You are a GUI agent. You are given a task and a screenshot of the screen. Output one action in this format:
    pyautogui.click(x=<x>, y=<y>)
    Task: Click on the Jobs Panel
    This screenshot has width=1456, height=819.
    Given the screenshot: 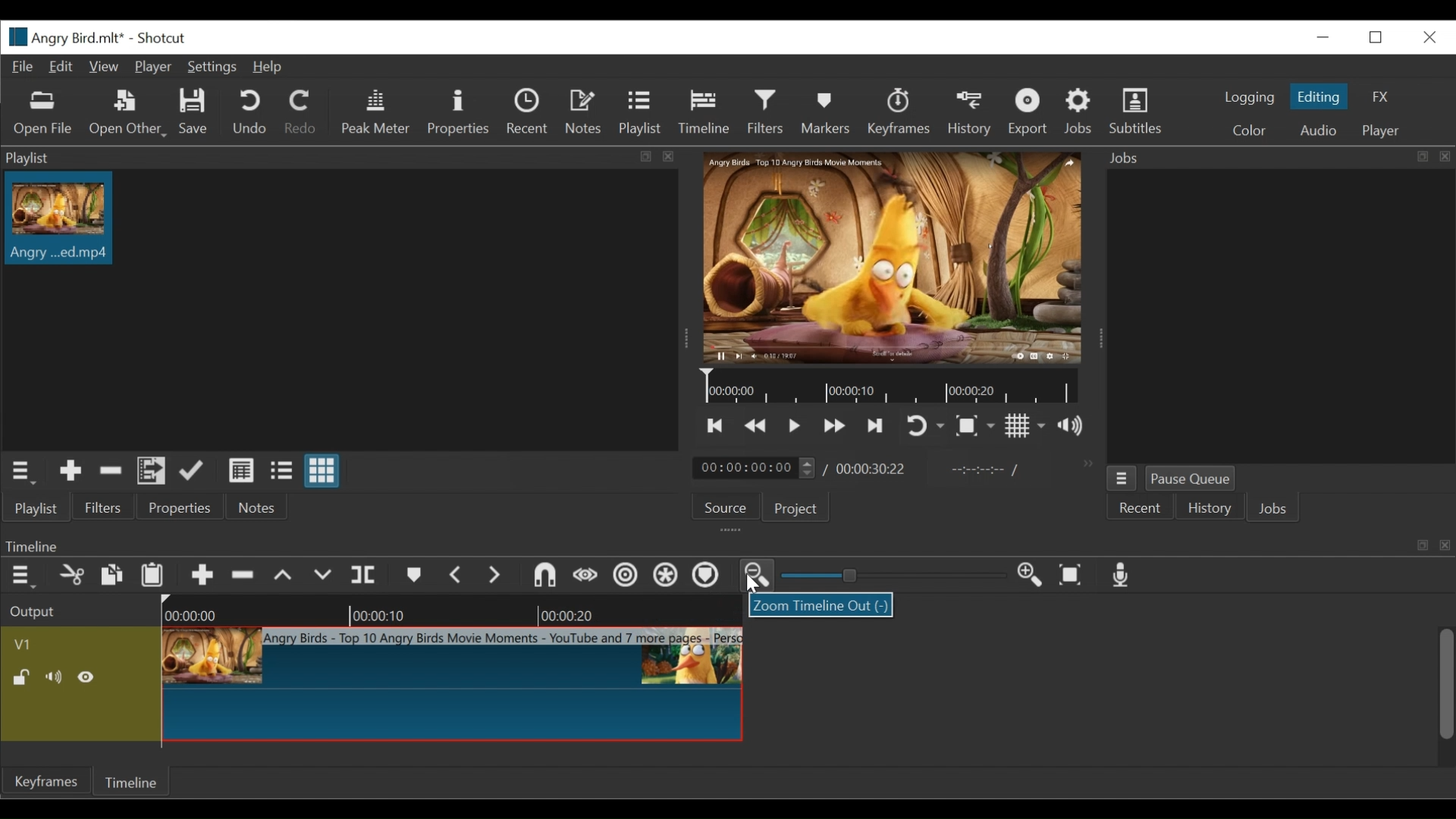 What is the action you would take?
    pyautogui.click(x=1278, y=158)
    